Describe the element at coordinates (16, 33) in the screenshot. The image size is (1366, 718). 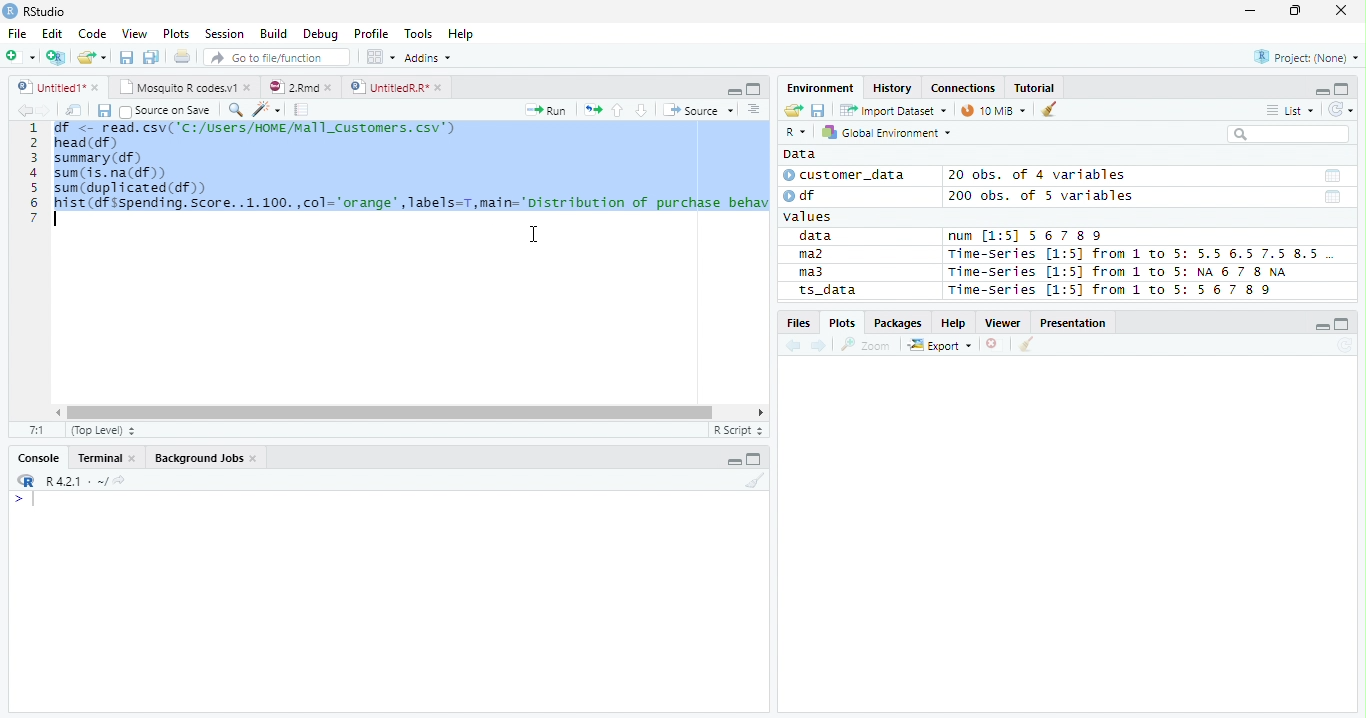
I see `File` at that location.